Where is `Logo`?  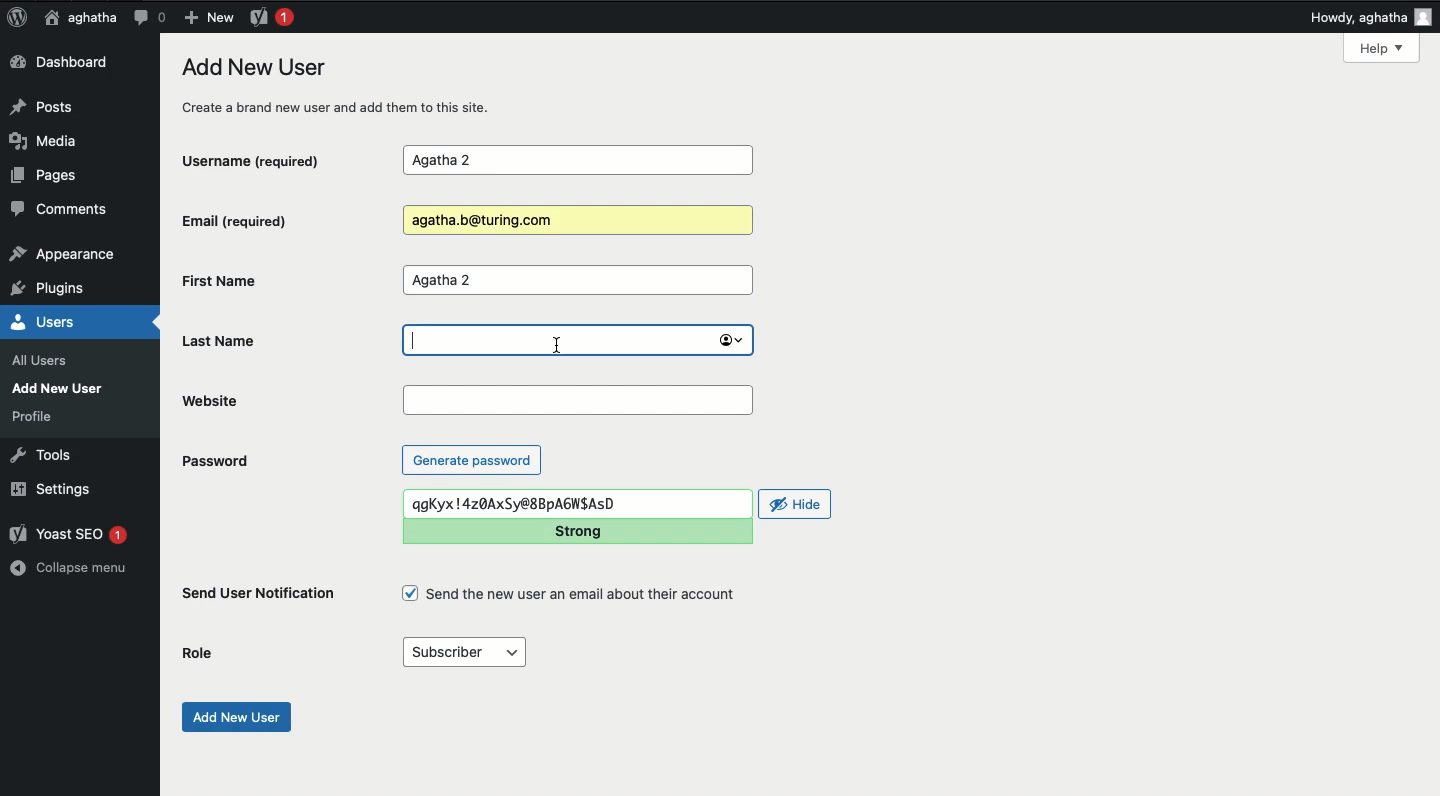 Logo is located at coordinates (17, 18).